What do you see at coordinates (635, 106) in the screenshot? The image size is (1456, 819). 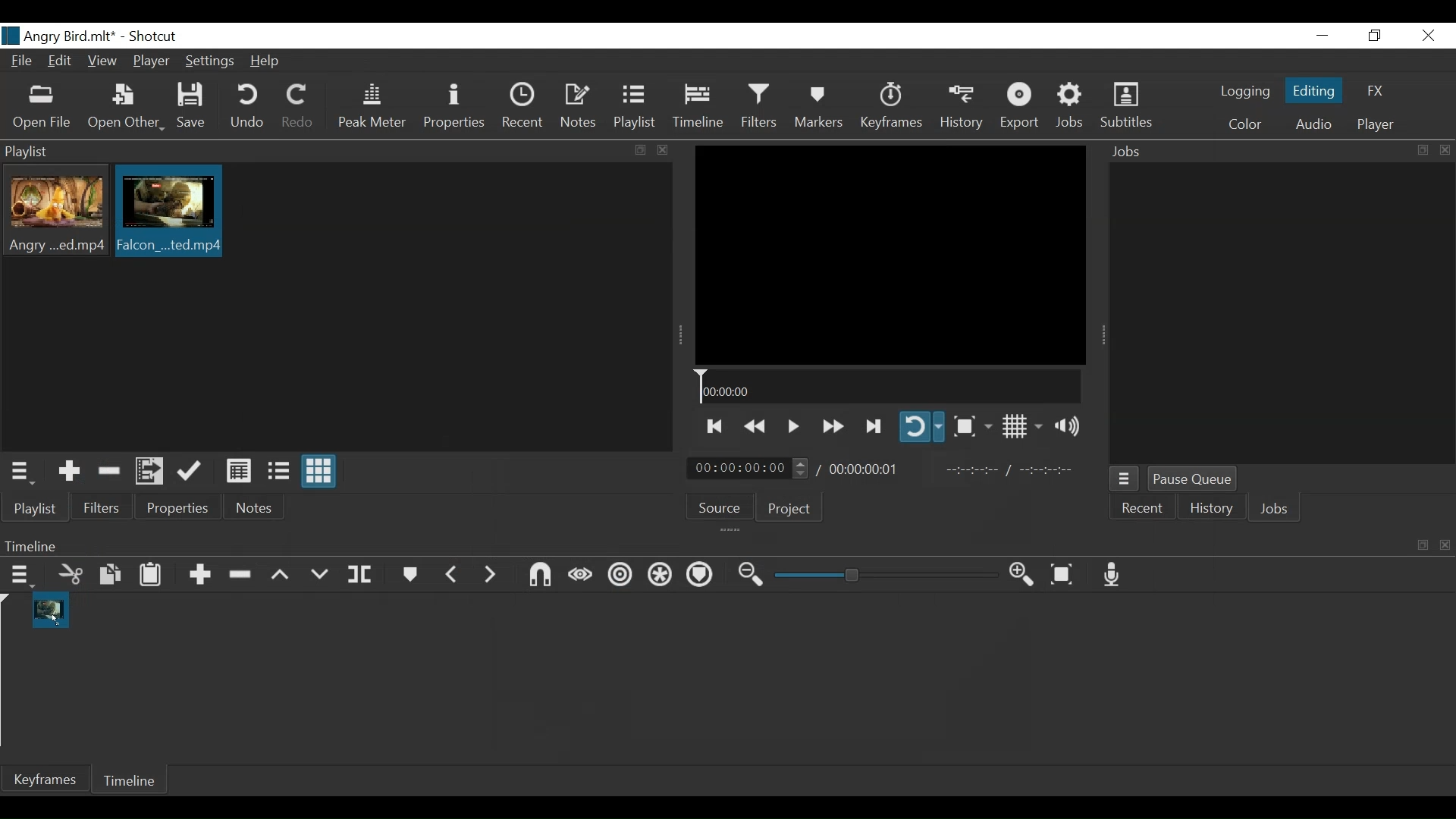 I see `Playlist` at bounding box center [635, 106].